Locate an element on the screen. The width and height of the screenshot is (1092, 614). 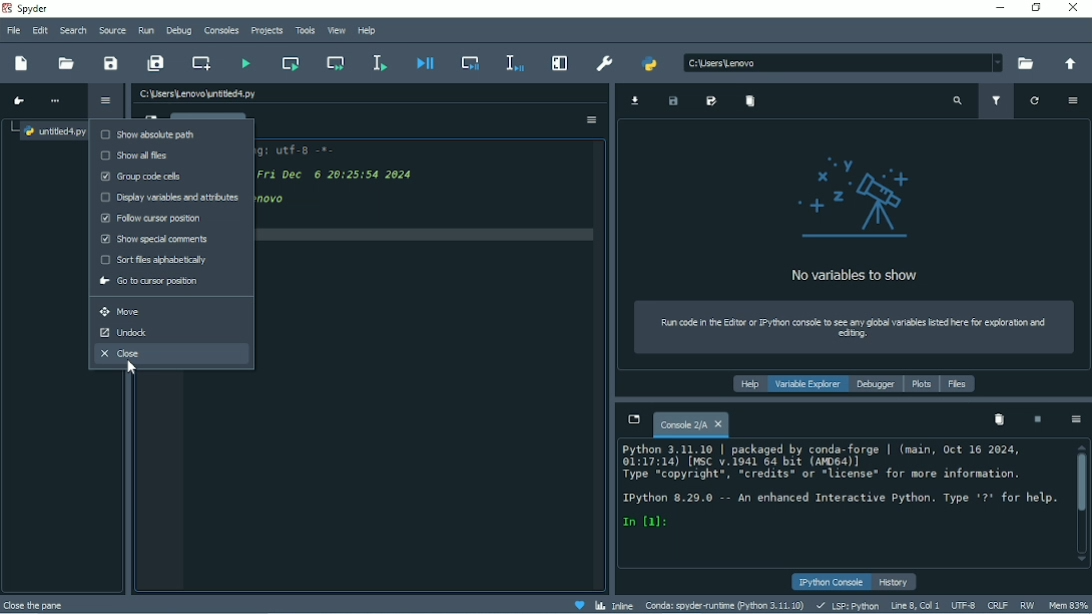
View is located at coordinates (336, 30).